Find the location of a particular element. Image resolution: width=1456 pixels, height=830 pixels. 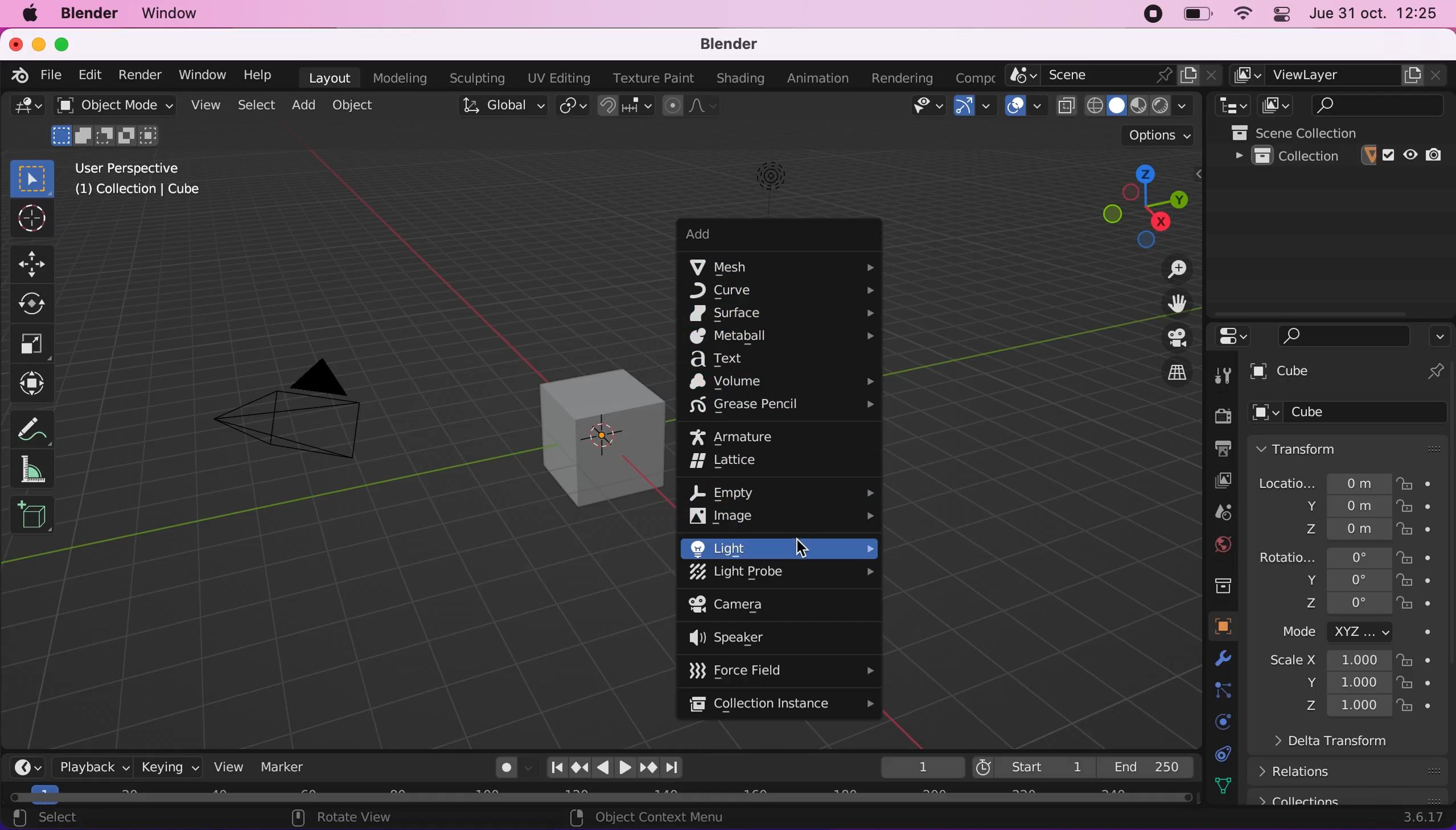

1 is located at coordinates (915, 766).